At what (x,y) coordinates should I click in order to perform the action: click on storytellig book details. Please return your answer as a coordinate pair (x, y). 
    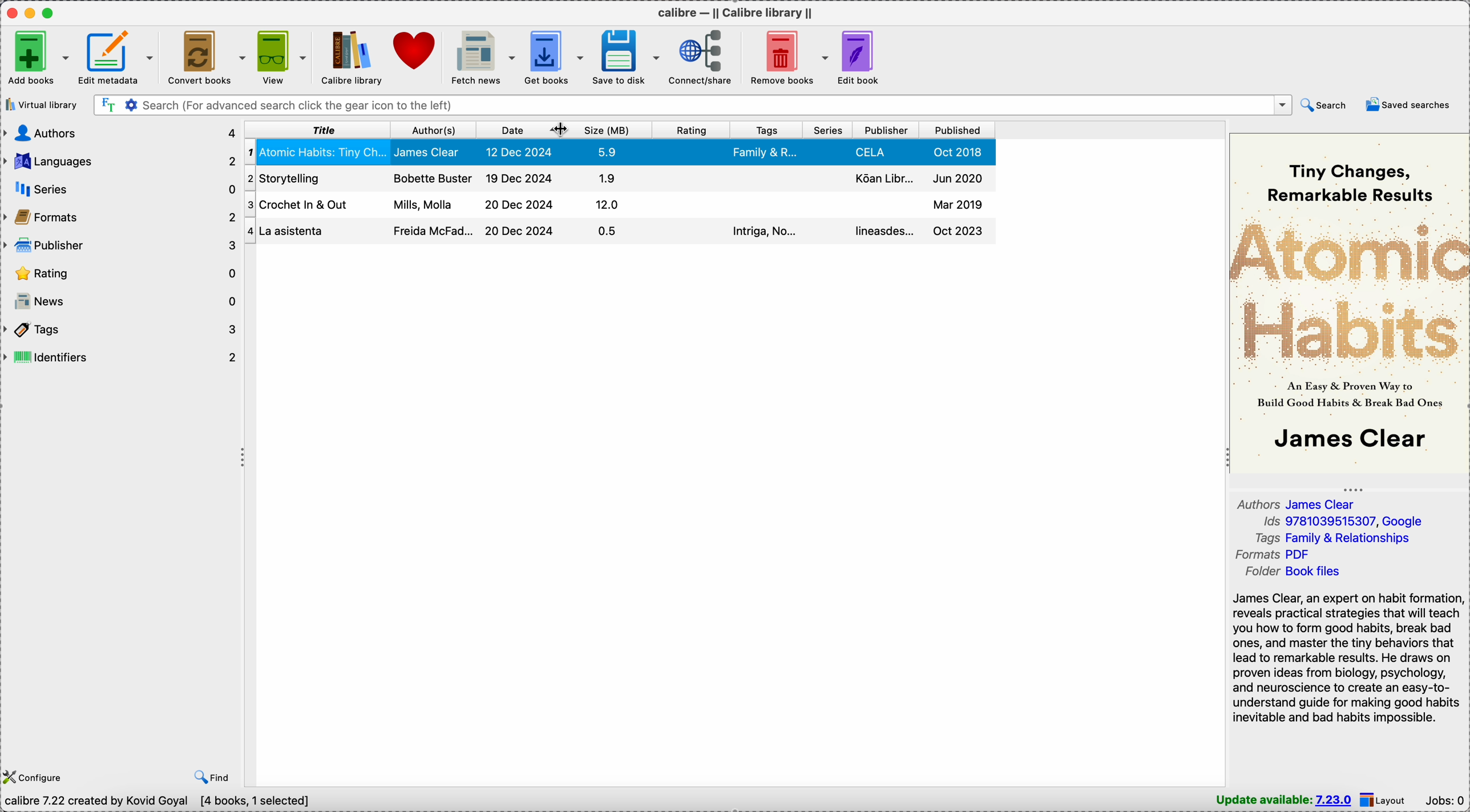
    Looking at the image, I should click on (616, 232).